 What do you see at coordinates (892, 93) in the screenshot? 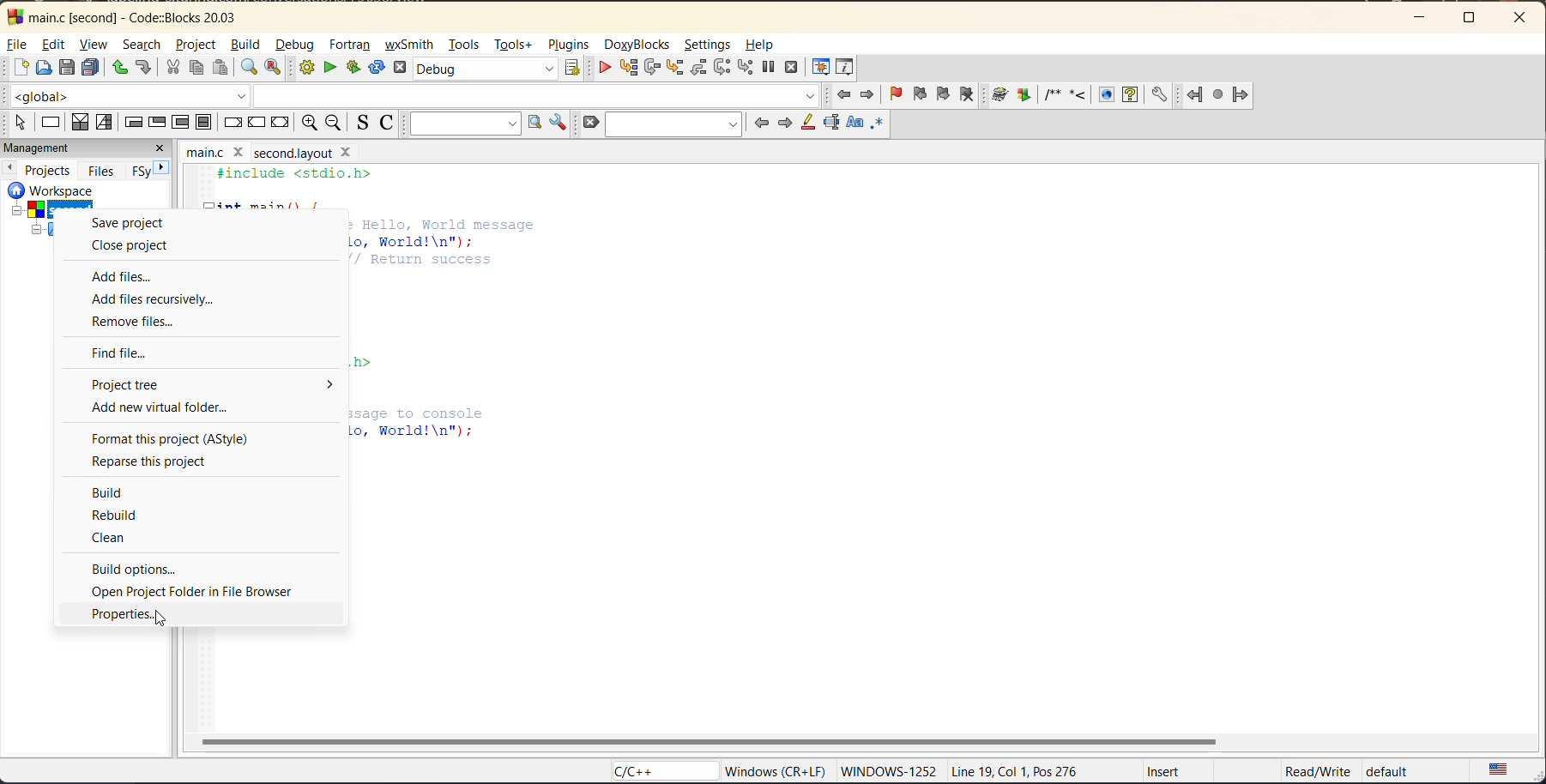
I see `toggle bookmark` at bounding box center [892, 93].